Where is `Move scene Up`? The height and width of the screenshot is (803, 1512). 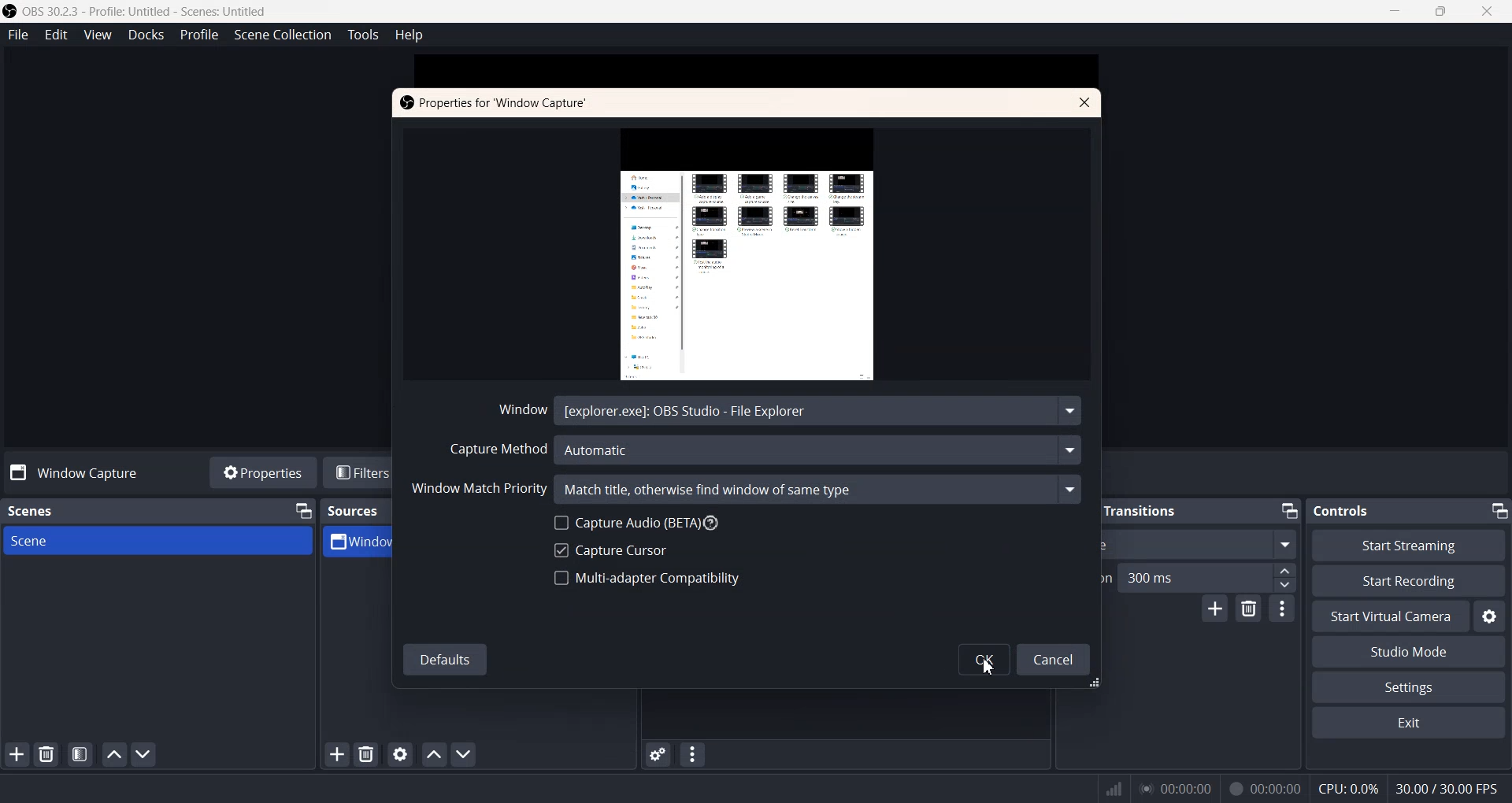 Move scene Up is located at coordinates (113, 754).